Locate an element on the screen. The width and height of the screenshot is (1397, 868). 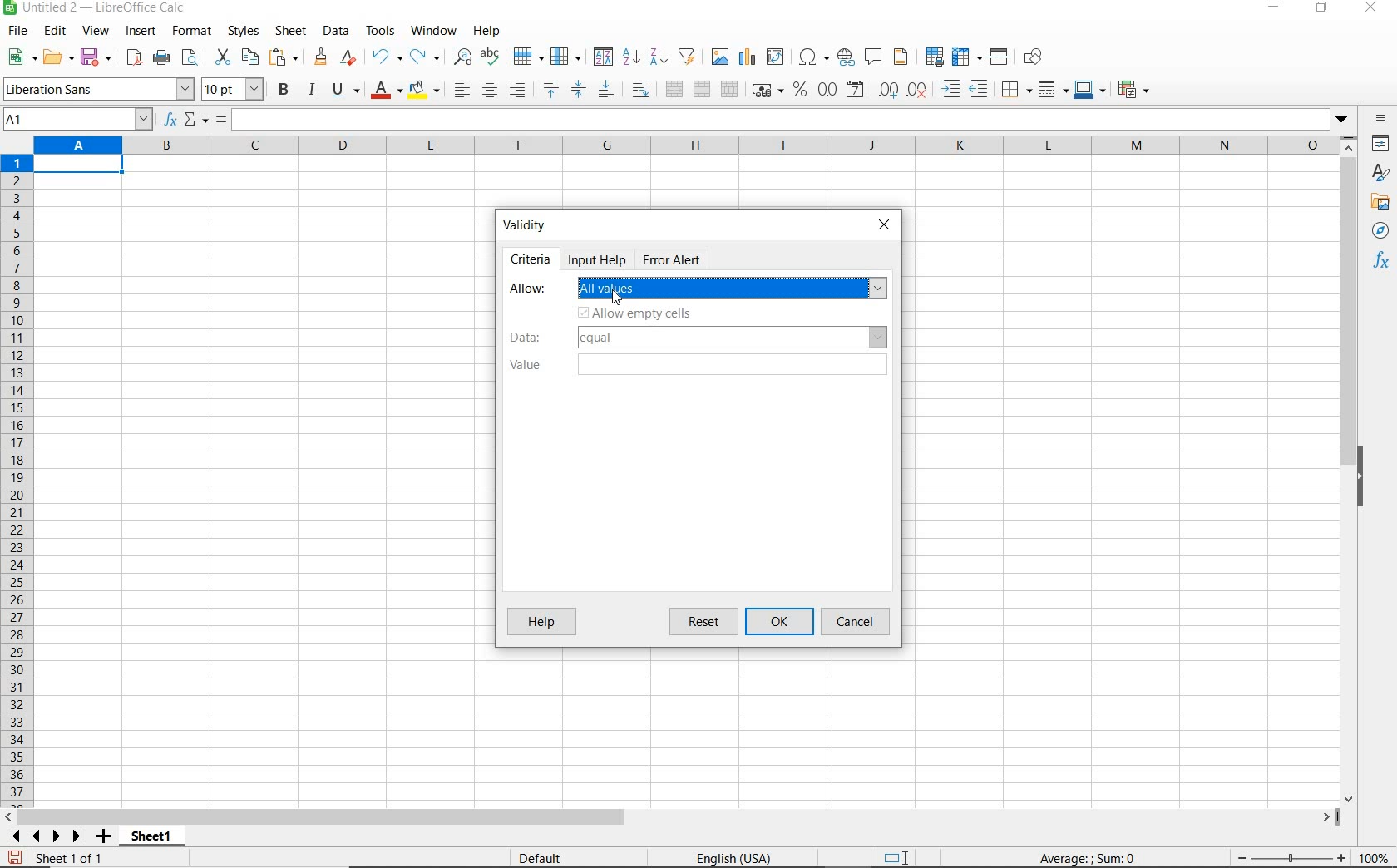
error alert is located at coordinates (671, 259).